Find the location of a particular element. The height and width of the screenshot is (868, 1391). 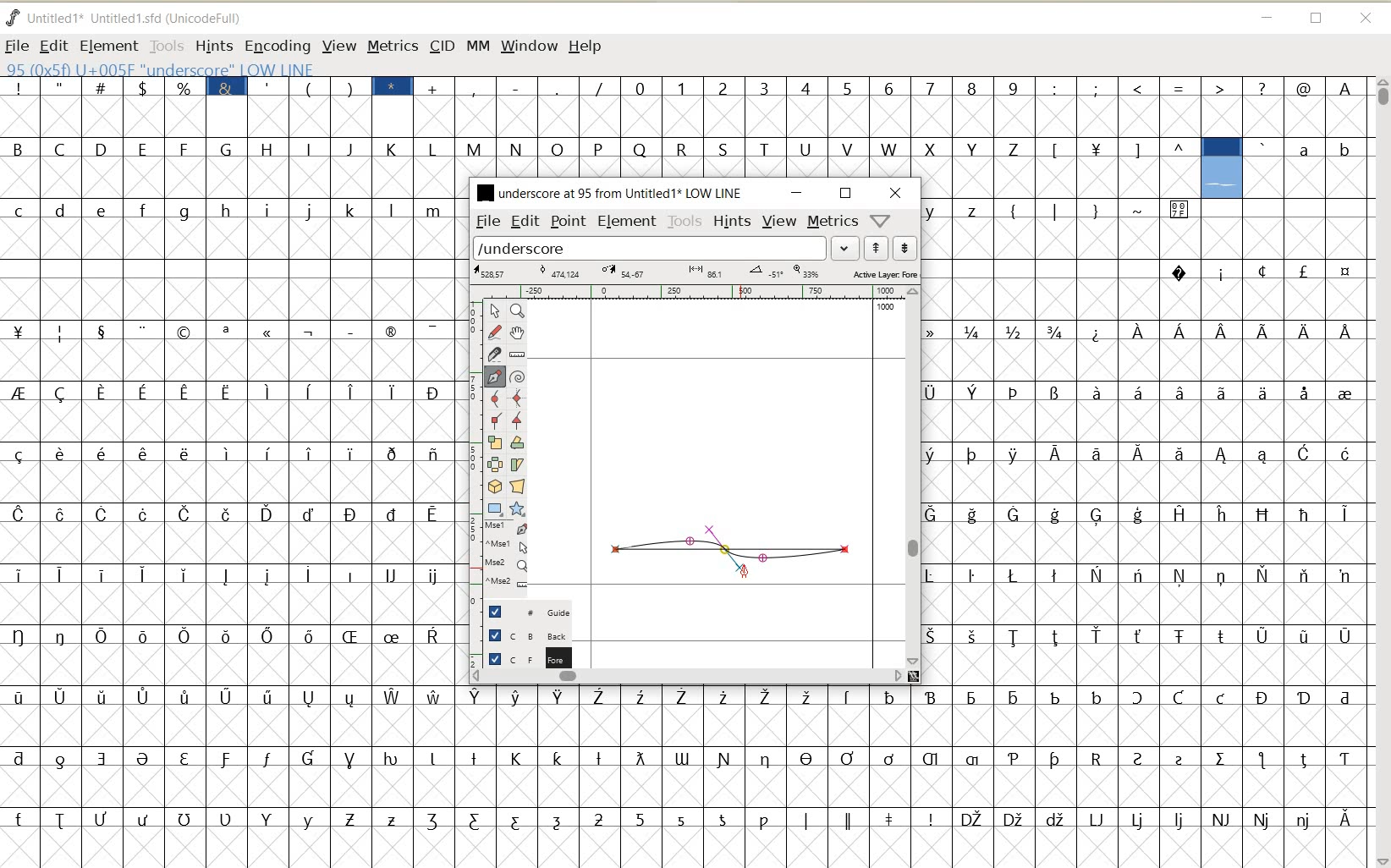

Add a corner point is located at coordinates (518, 420).